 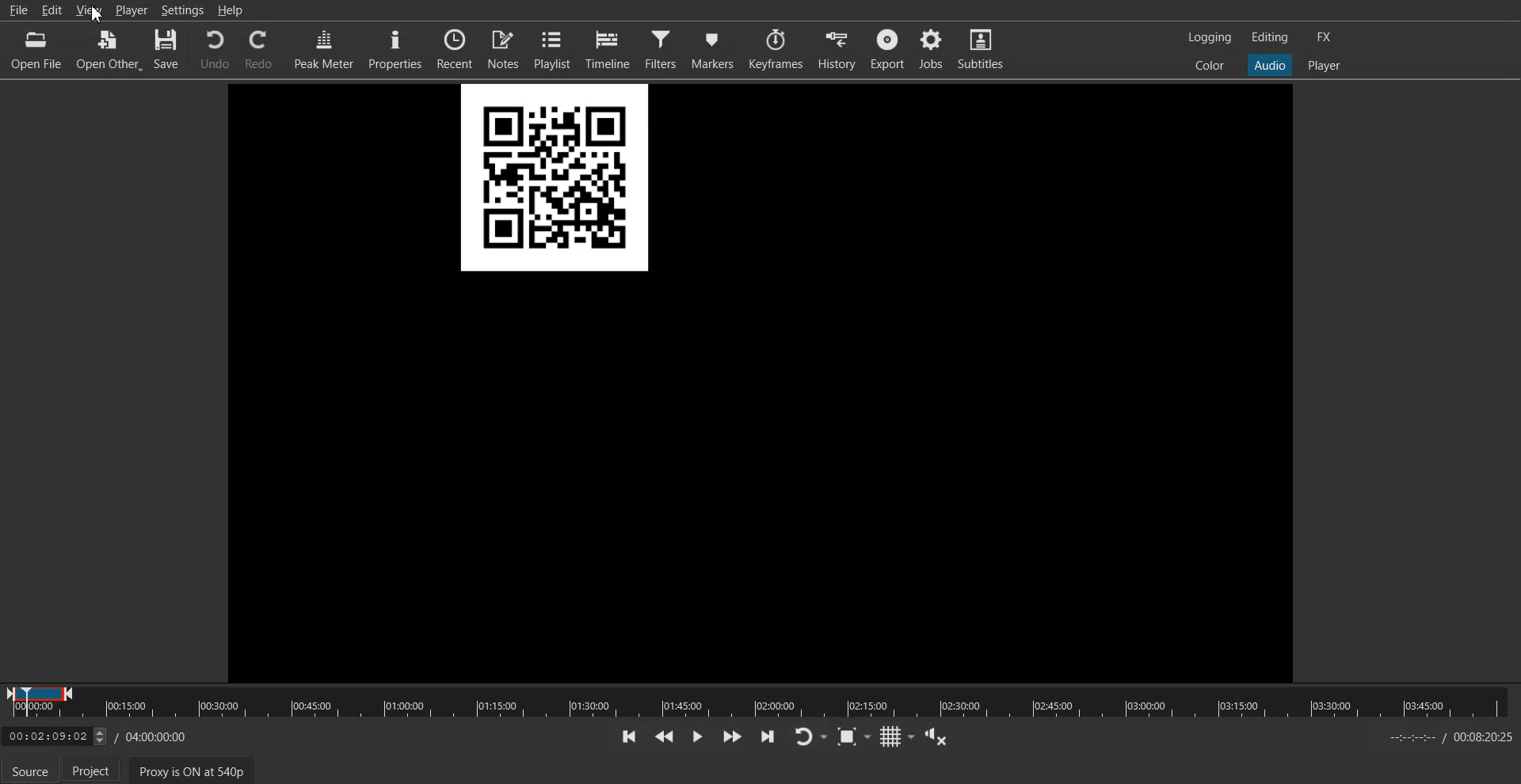 I want to click on Switch to the Player one layout, so click(x=1325, y=66).